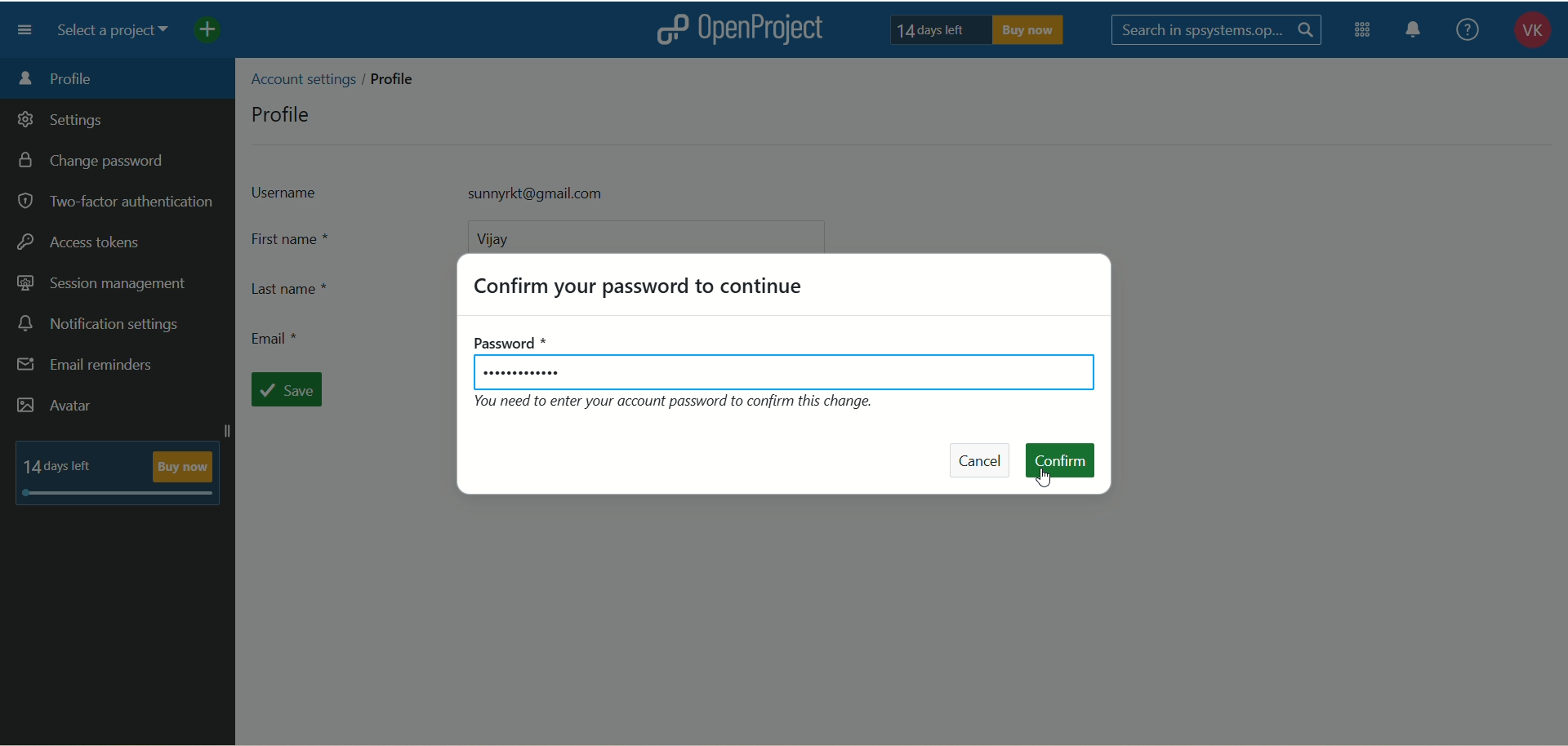 This screenshot has width=1568, height=746. What do you see at coordinates (118, 472) in the screenshot?
I see `text` at bounding box center [118, 472].